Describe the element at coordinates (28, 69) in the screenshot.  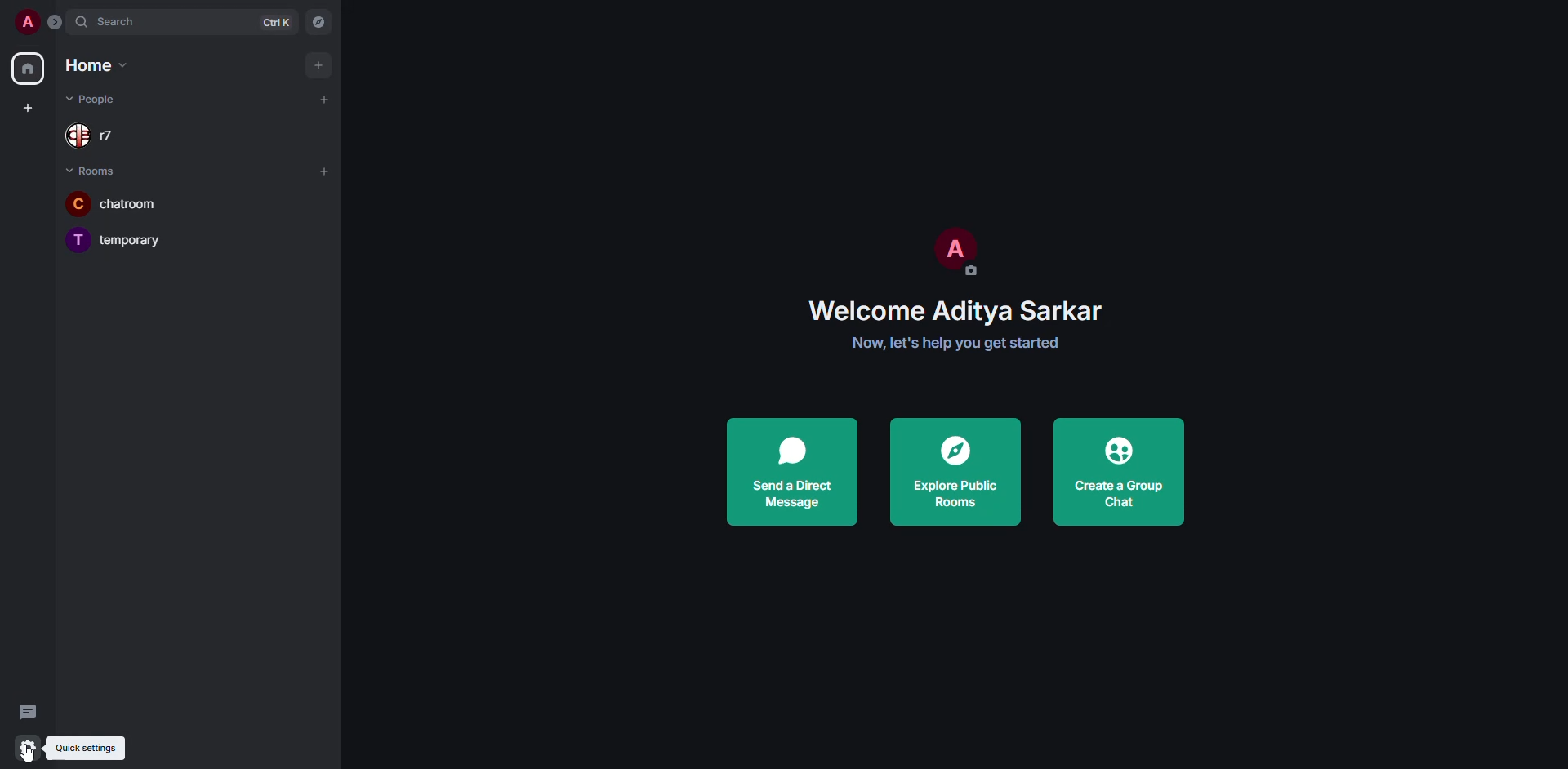
I see `home` at that location.